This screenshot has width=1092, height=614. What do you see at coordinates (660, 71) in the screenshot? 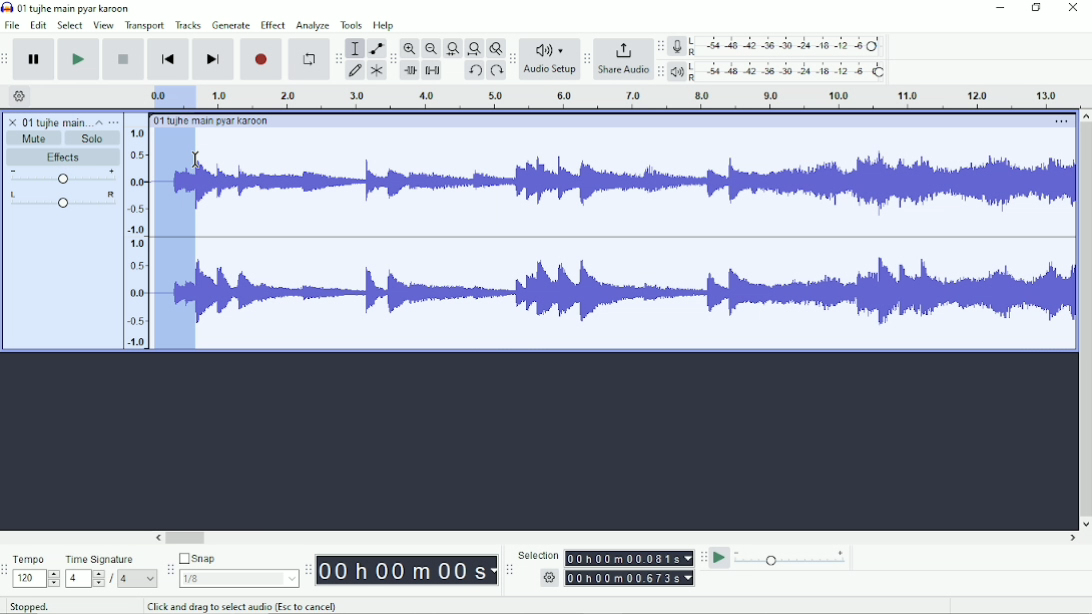
I see `Audacity playback meter toolbar` at bounding box center [660, 71].